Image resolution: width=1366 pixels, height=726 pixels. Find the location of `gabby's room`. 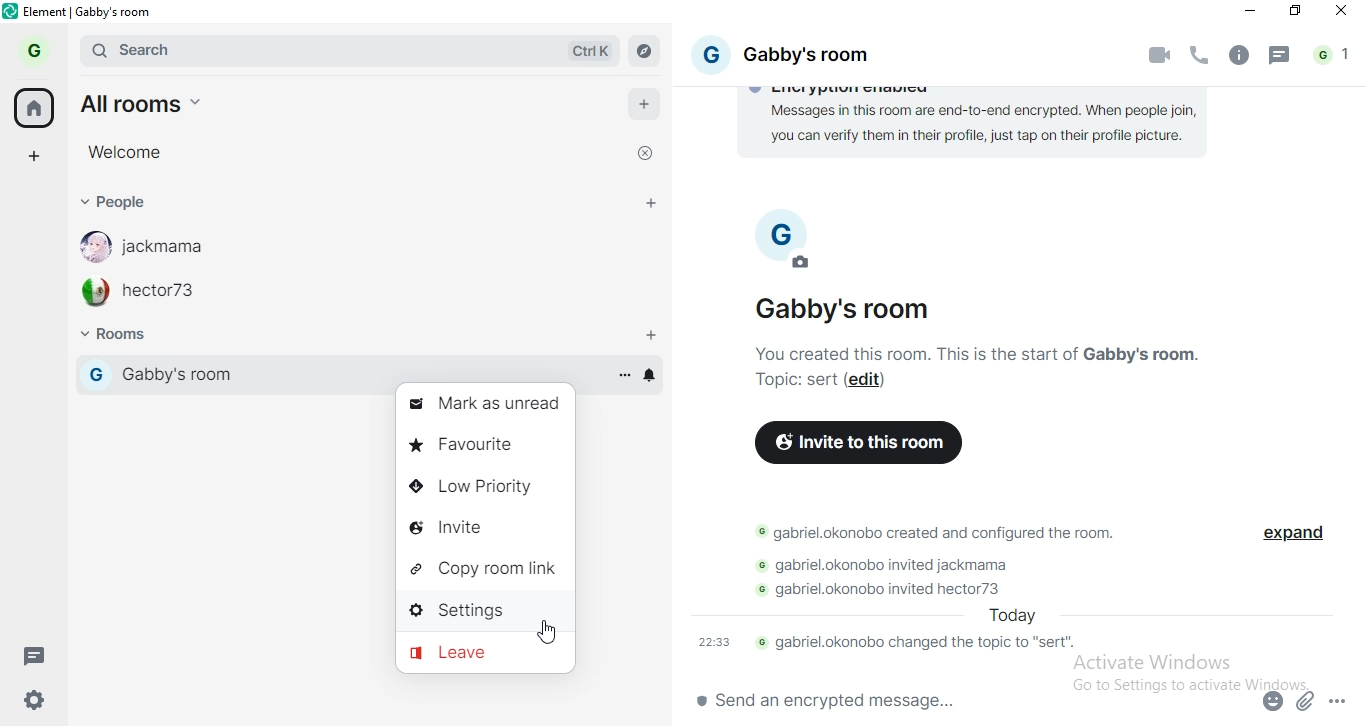

gabby's room is located at coordinates (247, 374).